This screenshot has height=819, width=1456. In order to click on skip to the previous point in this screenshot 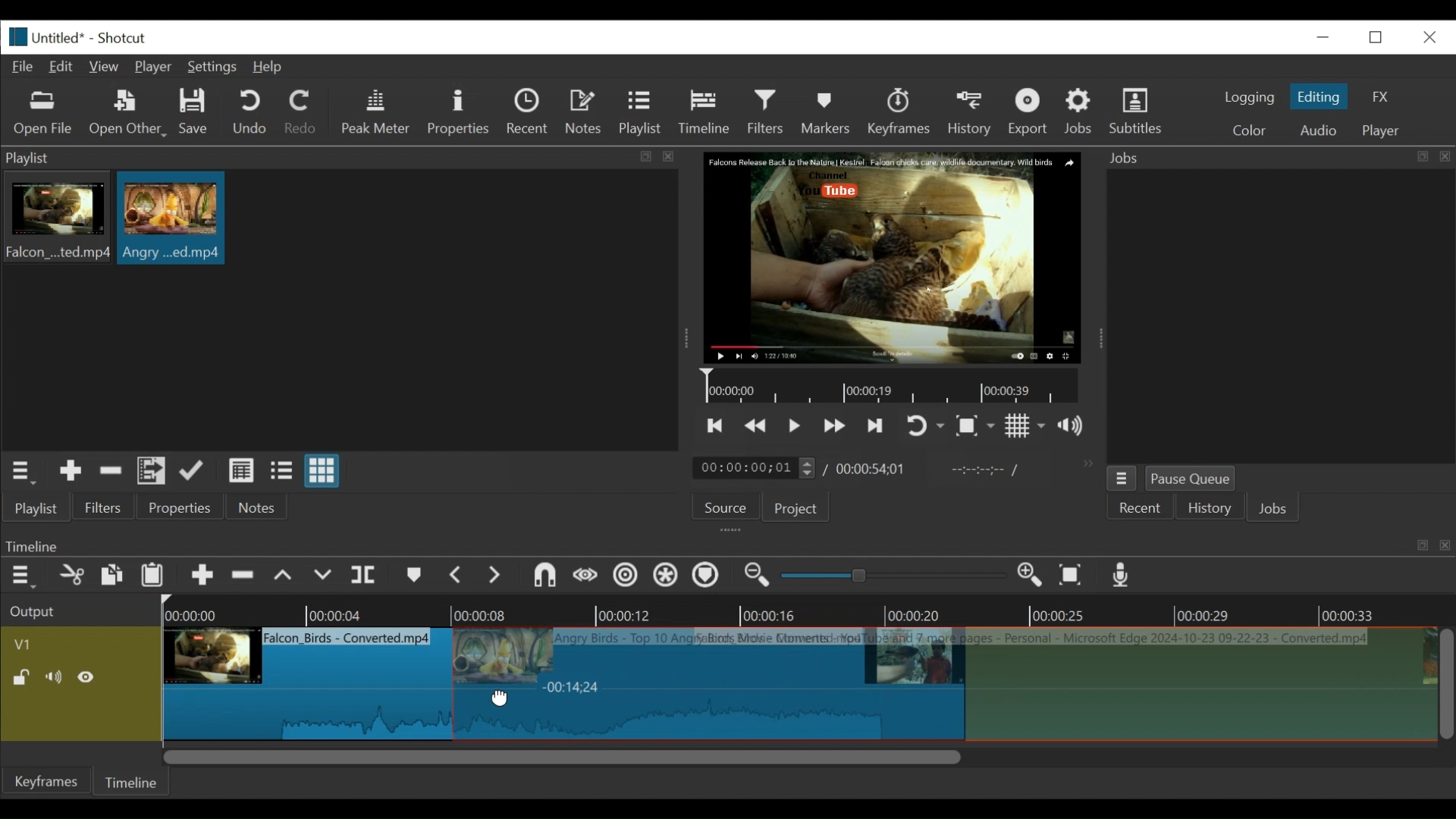, I will do `click(715, 426)`.